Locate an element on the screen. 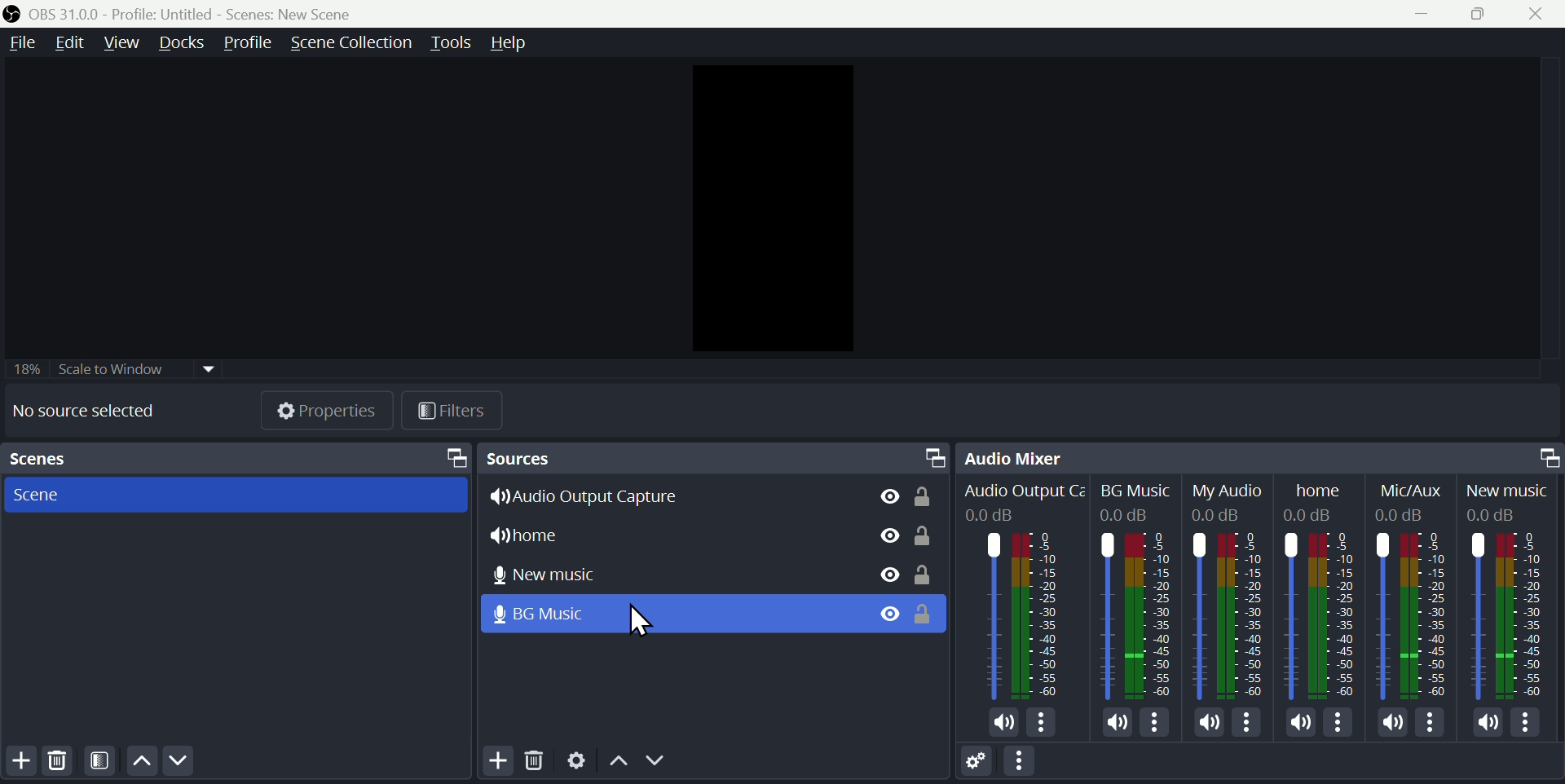 The image size is (1565, 784). View is located at coordinates (127, 42).